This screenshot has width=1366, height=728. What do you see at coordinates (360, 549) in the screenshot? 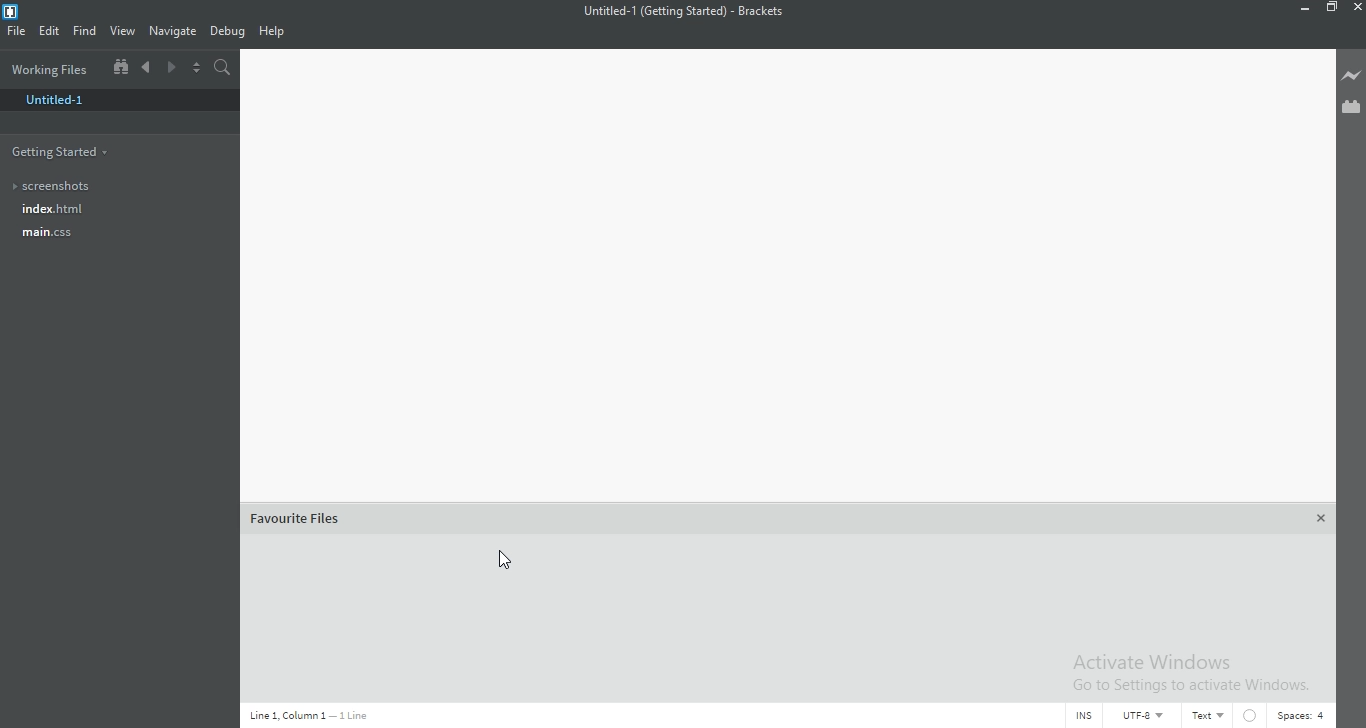
I see `file name` at bounding box center [360, 549].